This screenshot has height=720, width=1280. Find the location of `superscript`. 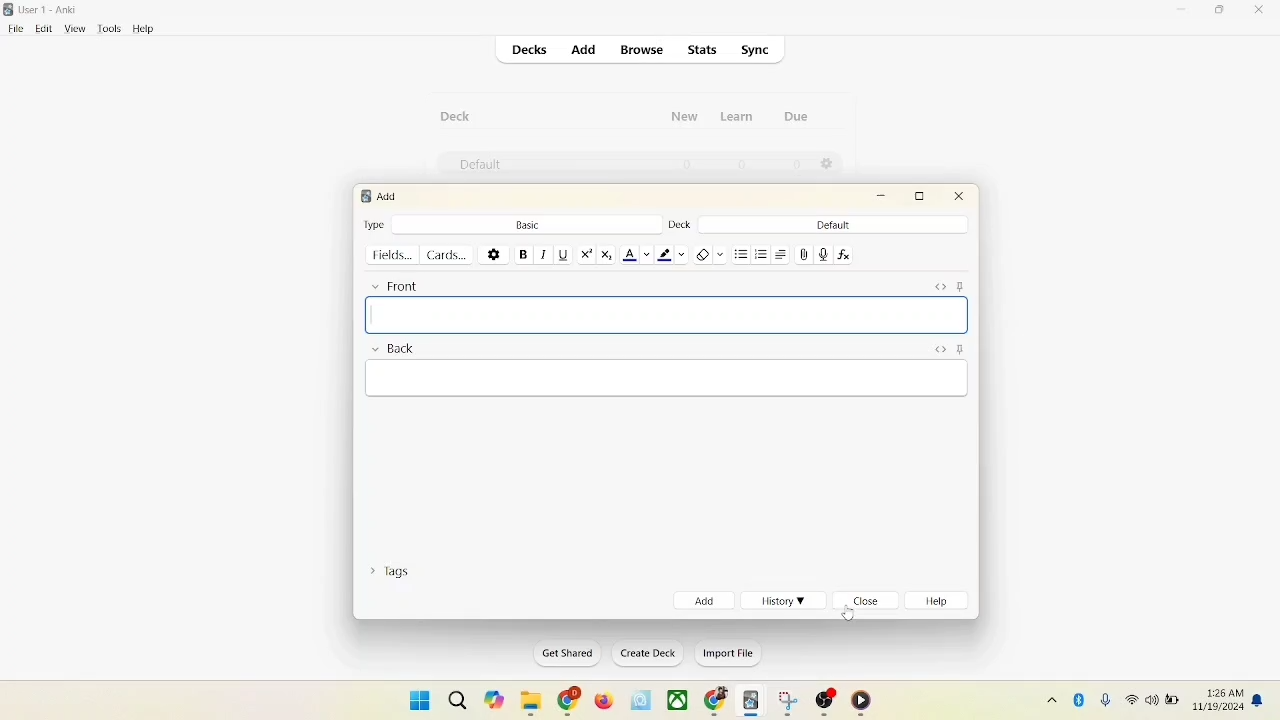

superscript is located at coordinates (586, 254).